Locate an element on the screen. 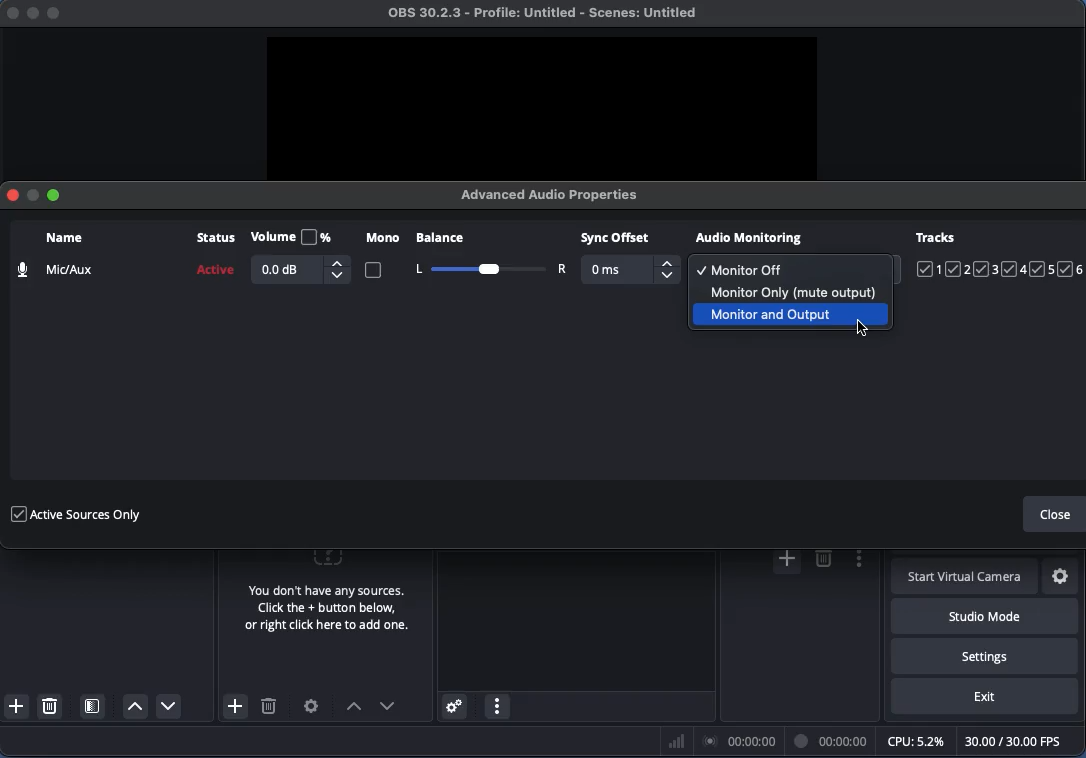 This screenshot has width=1086, height=758. Left is located at coordinates (417, 269).